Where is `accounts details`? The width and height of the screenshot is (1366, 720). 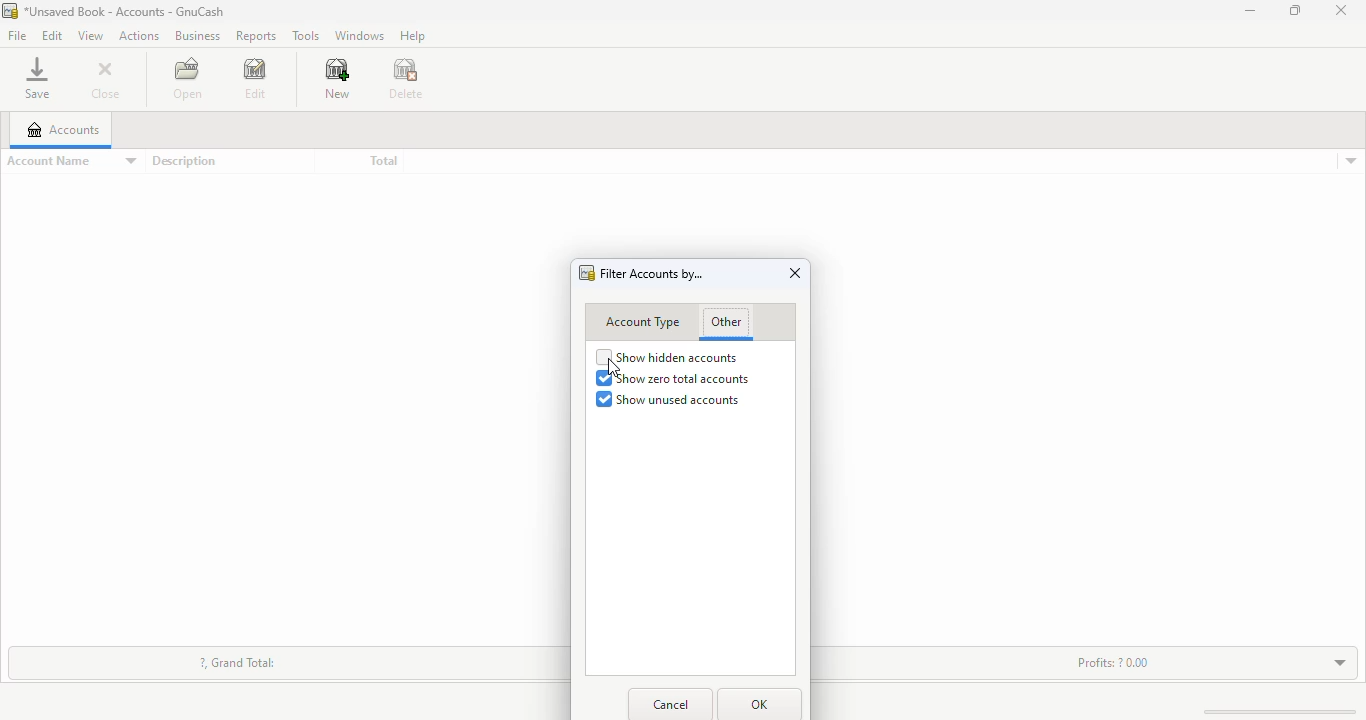 accounts details is located at coordinates (1351, 161).